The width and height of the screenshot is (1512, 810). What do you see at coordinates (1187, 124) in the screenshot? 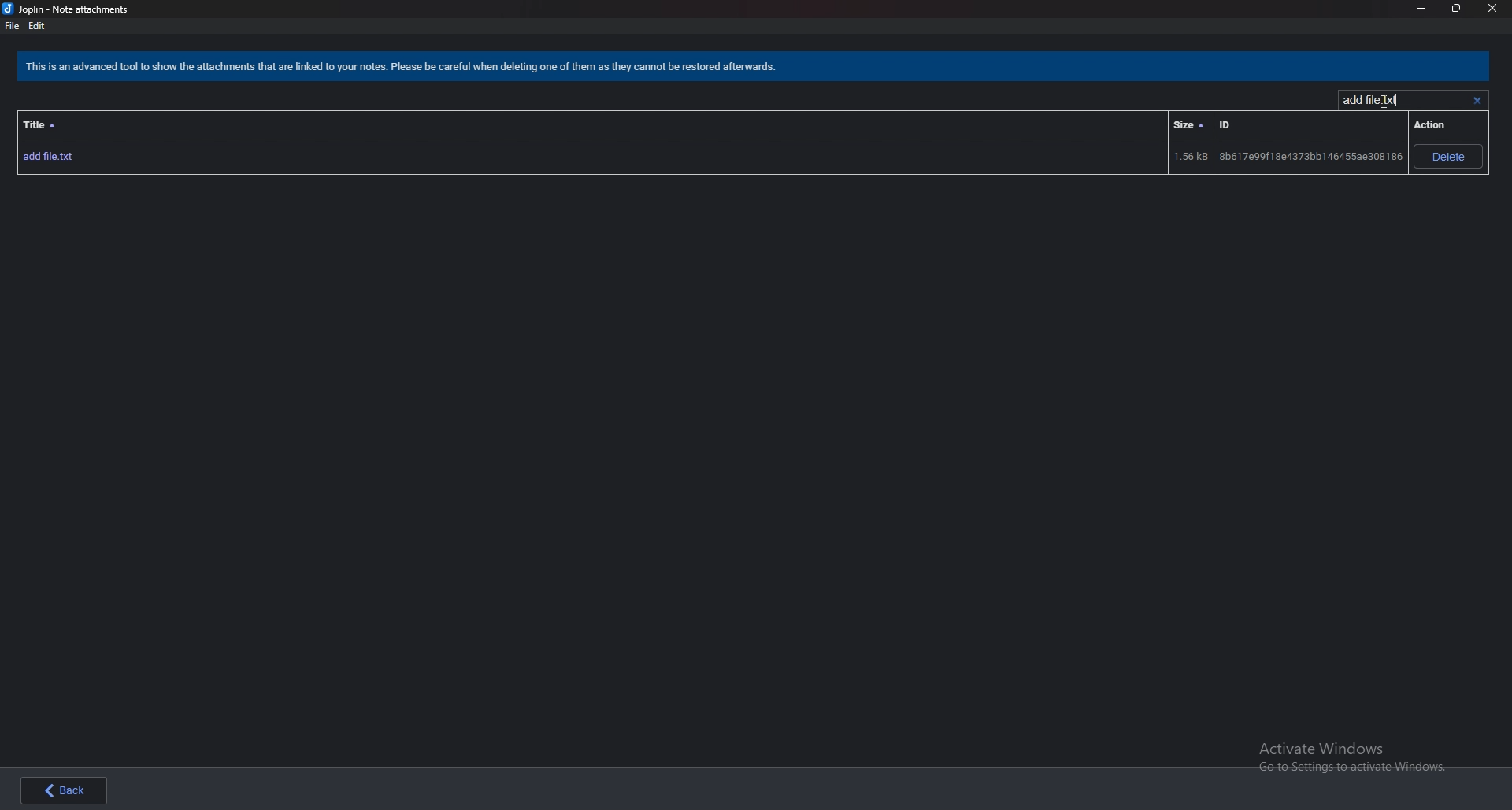
I see `Size` at bounding box center [1187, 124].